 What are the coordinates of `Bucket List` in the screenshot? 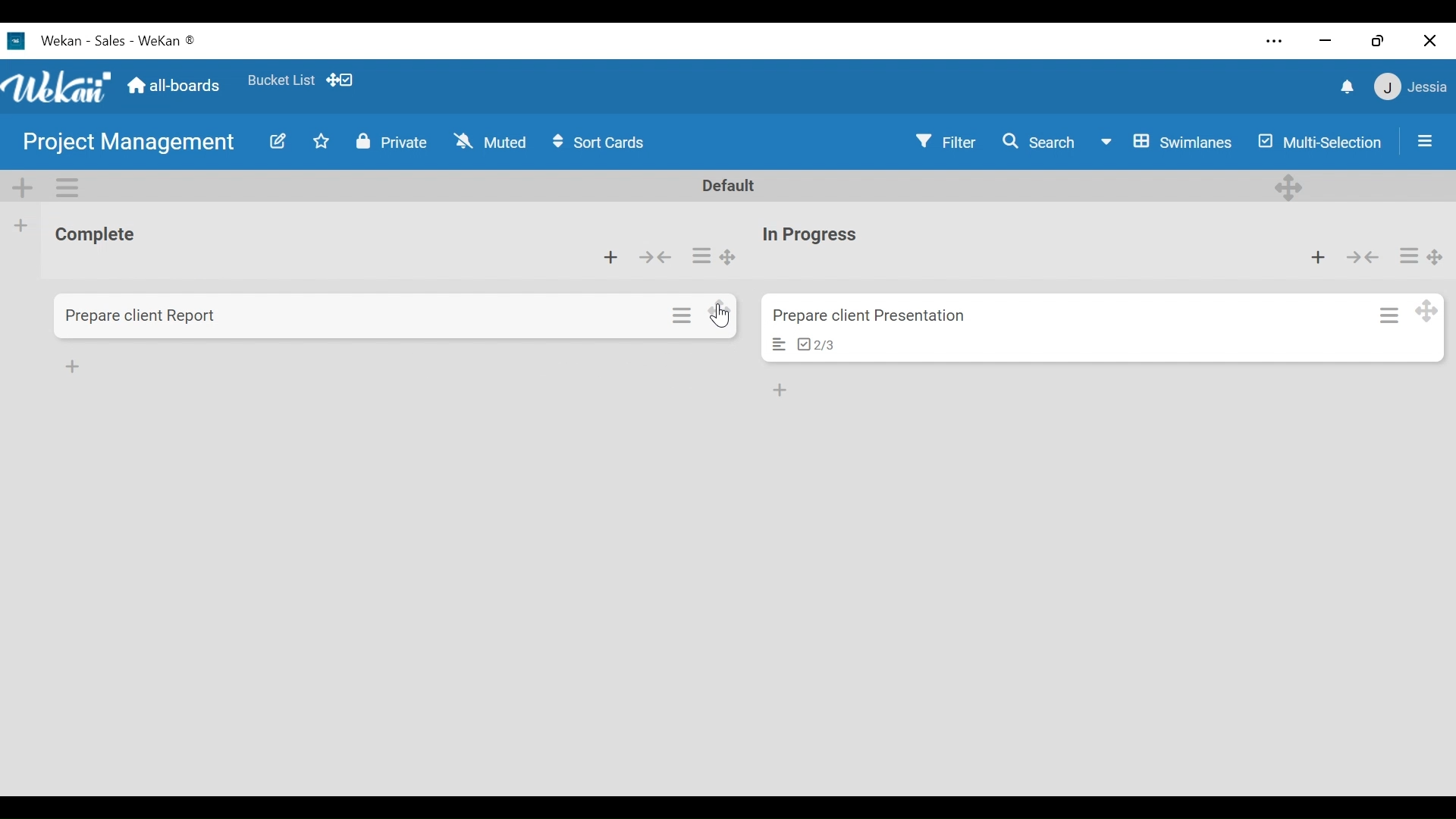 It's located at (281, 79).